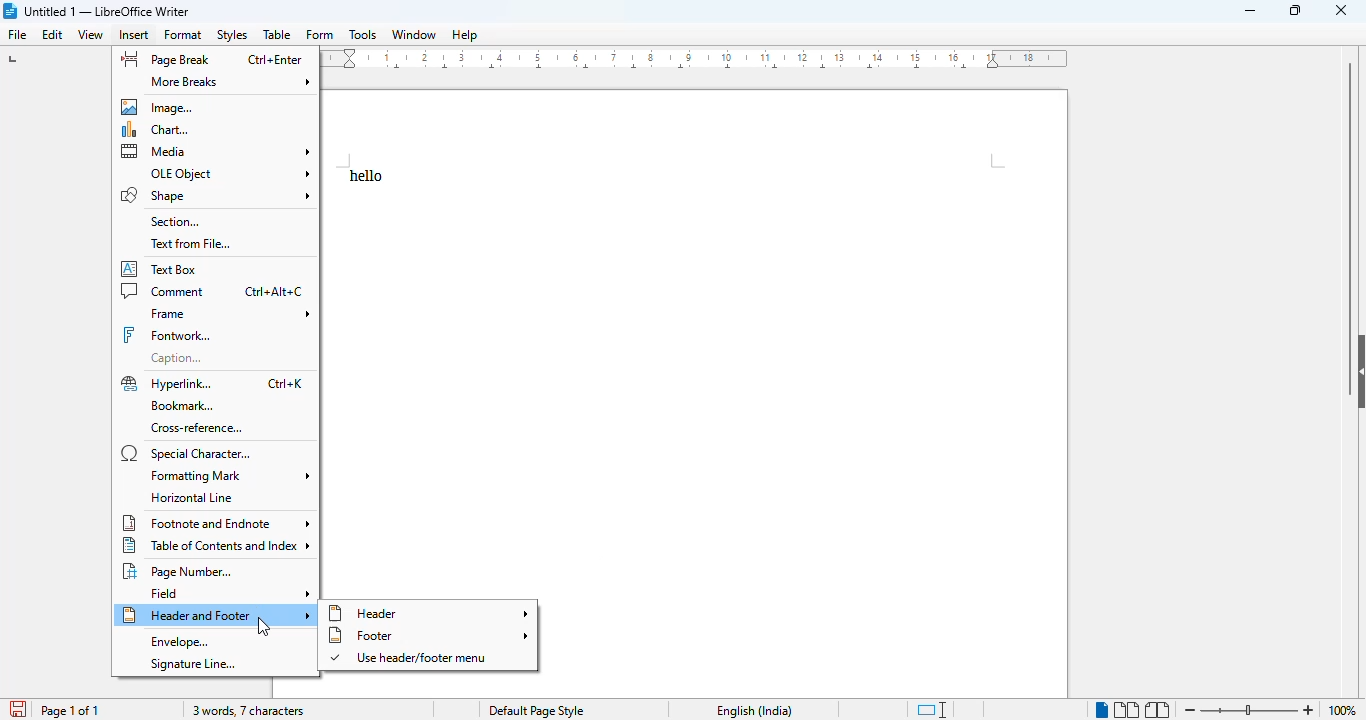 The width and height of the screenshot is (1366, 720). I want to click on zoom in, so click(1310, 710).